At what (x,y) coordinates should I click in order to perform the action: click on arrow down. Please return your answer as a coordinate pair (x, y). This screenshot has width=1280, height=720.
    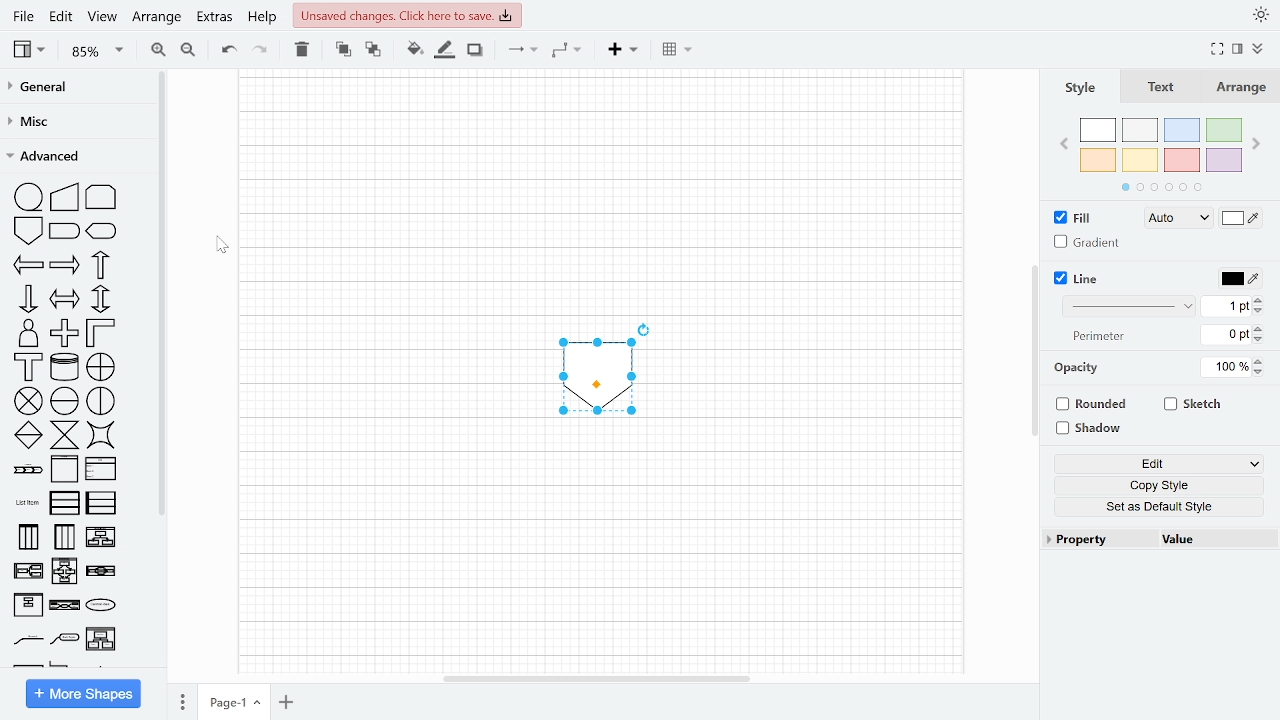
    Looking at the image, I should click on (28, 299).